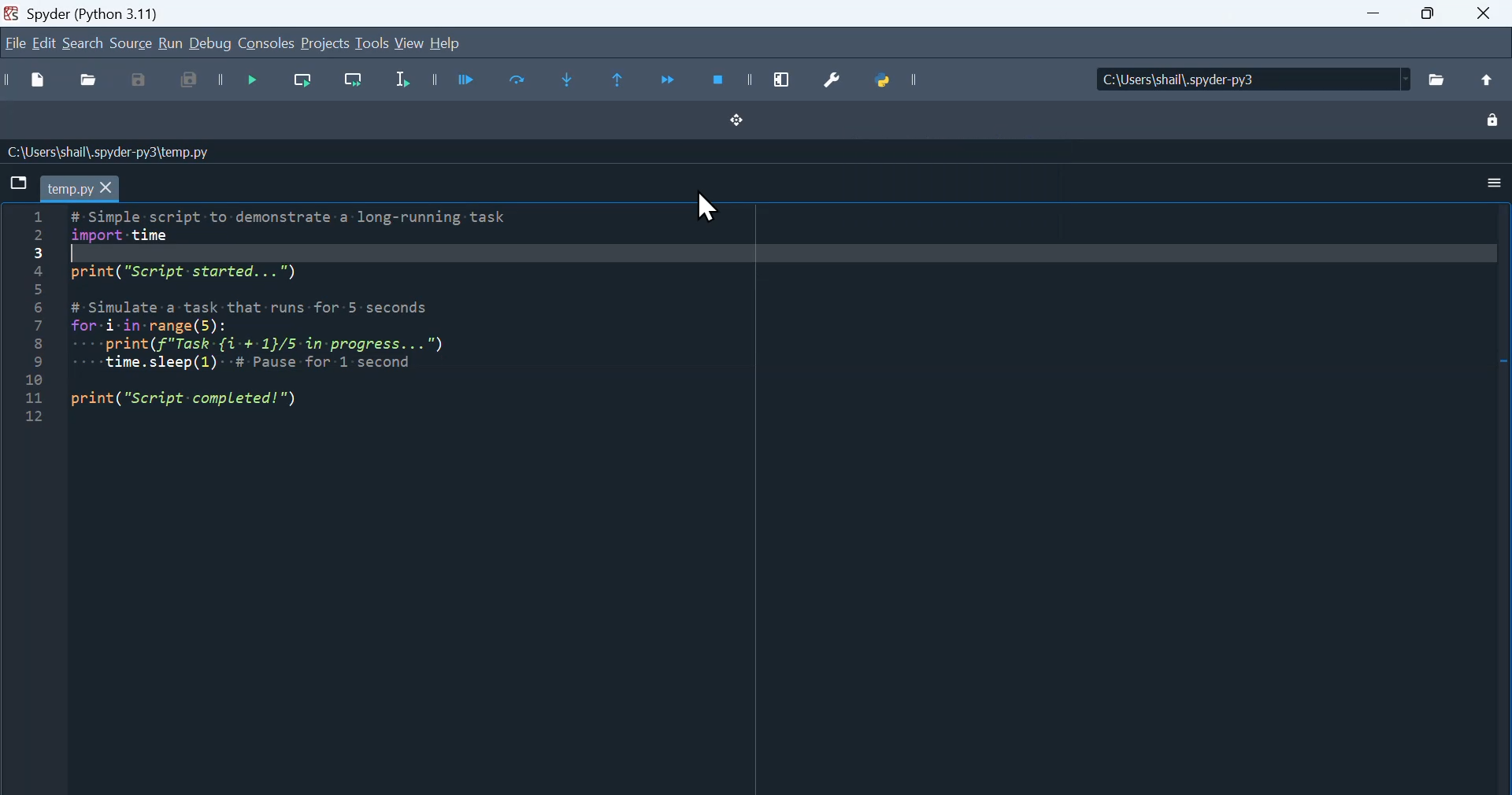 This screenshot has width=1512, height=795. What do you see at coordinates (250, 84) in the screenshot?
I see `Debug file` at bounding box center [250, 84].